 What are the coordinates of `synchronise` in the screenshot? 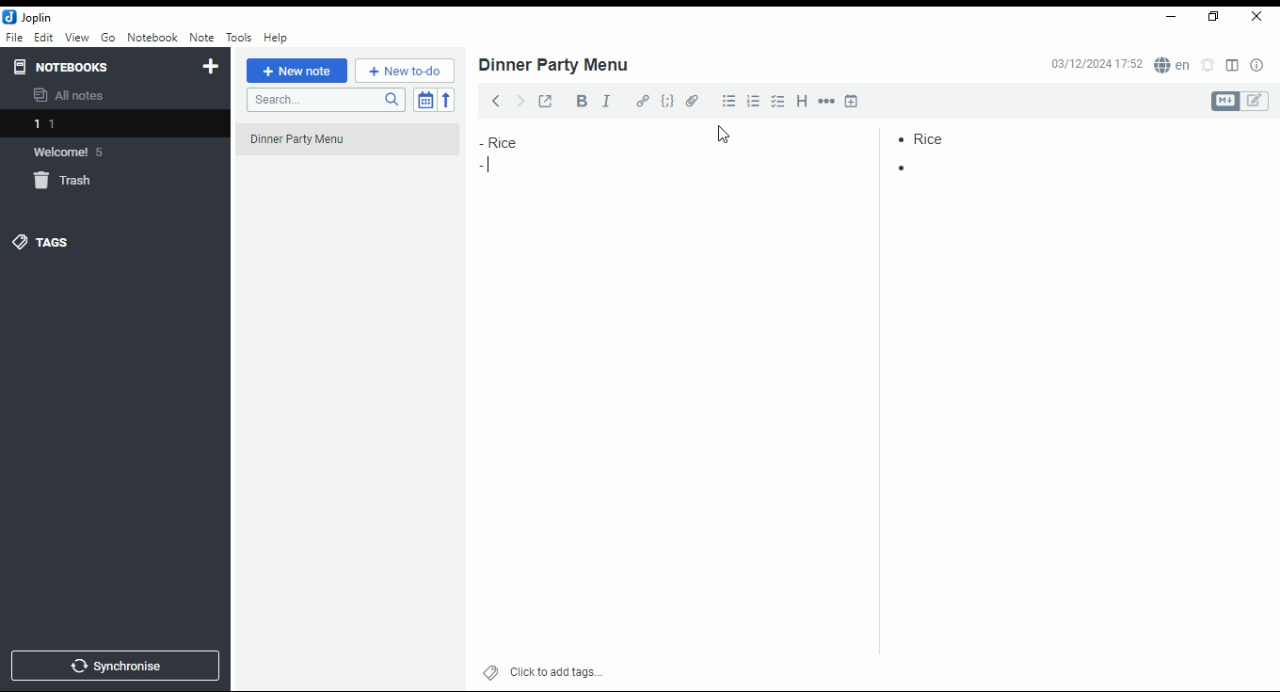 It's located at (115, 666).